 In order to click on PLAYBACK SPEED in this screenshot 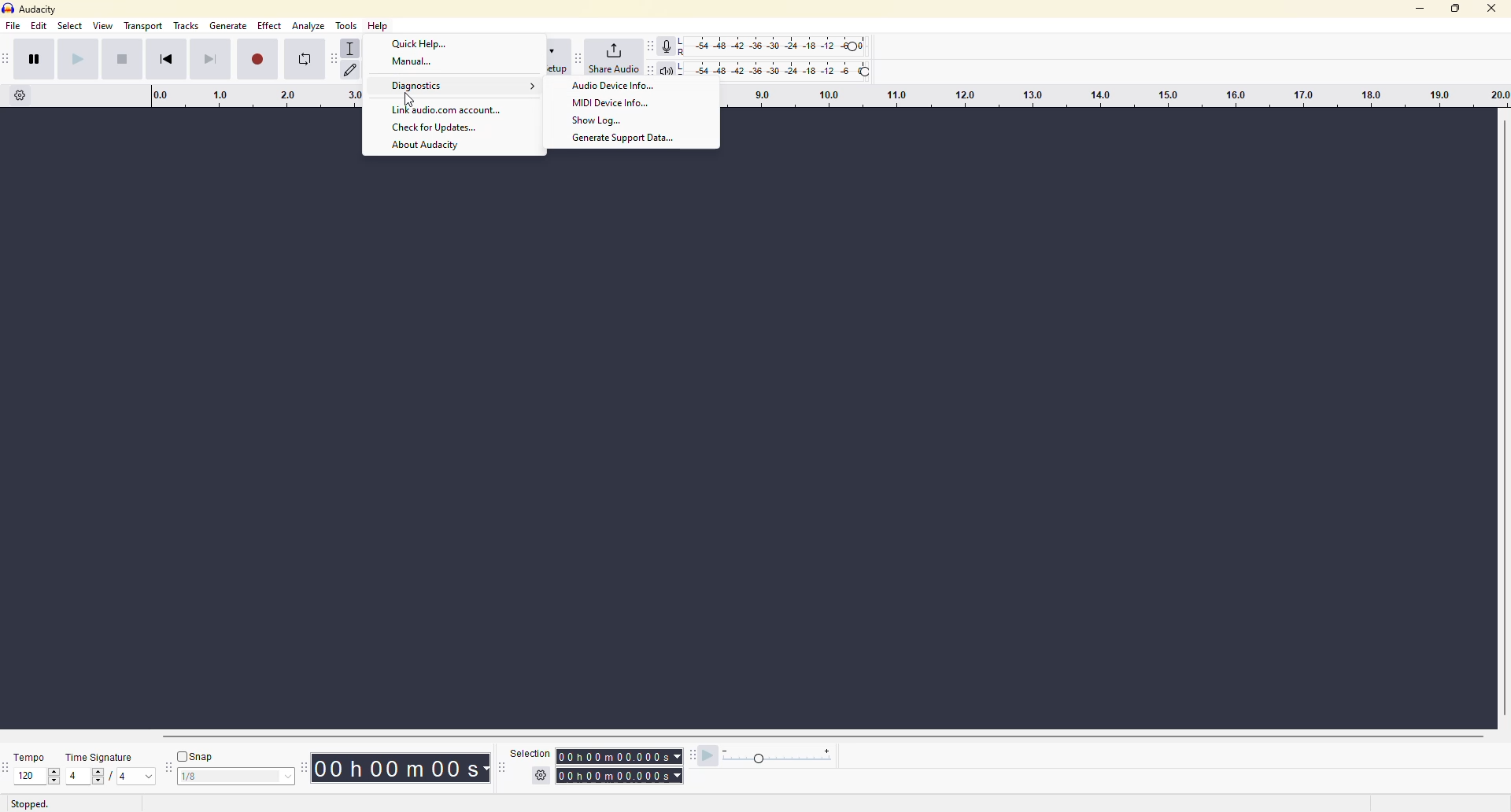, I will do `click(780, 758)`.